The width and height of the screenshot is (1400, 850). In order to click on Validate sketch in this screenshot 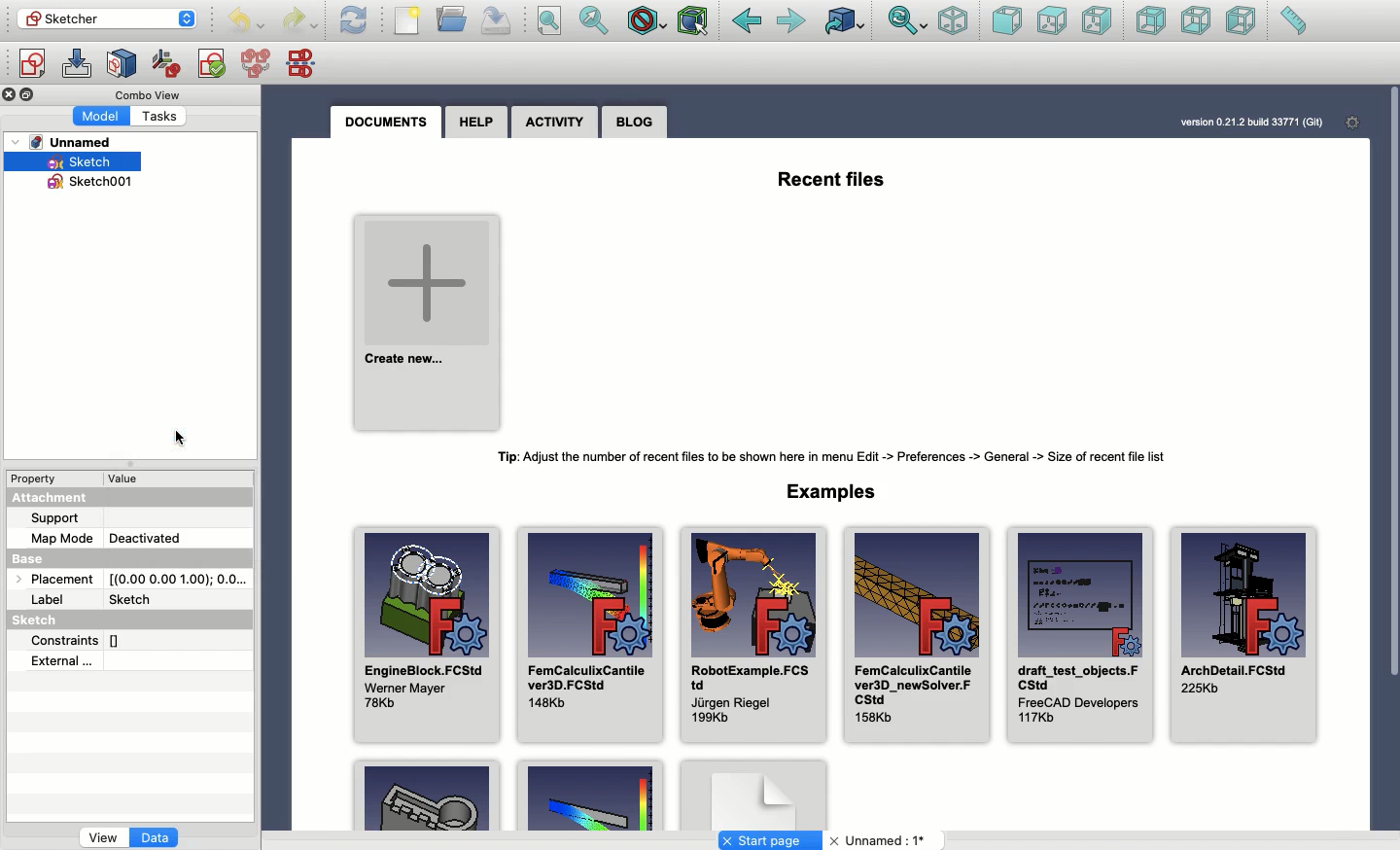, I will do `click(212, 67)`.